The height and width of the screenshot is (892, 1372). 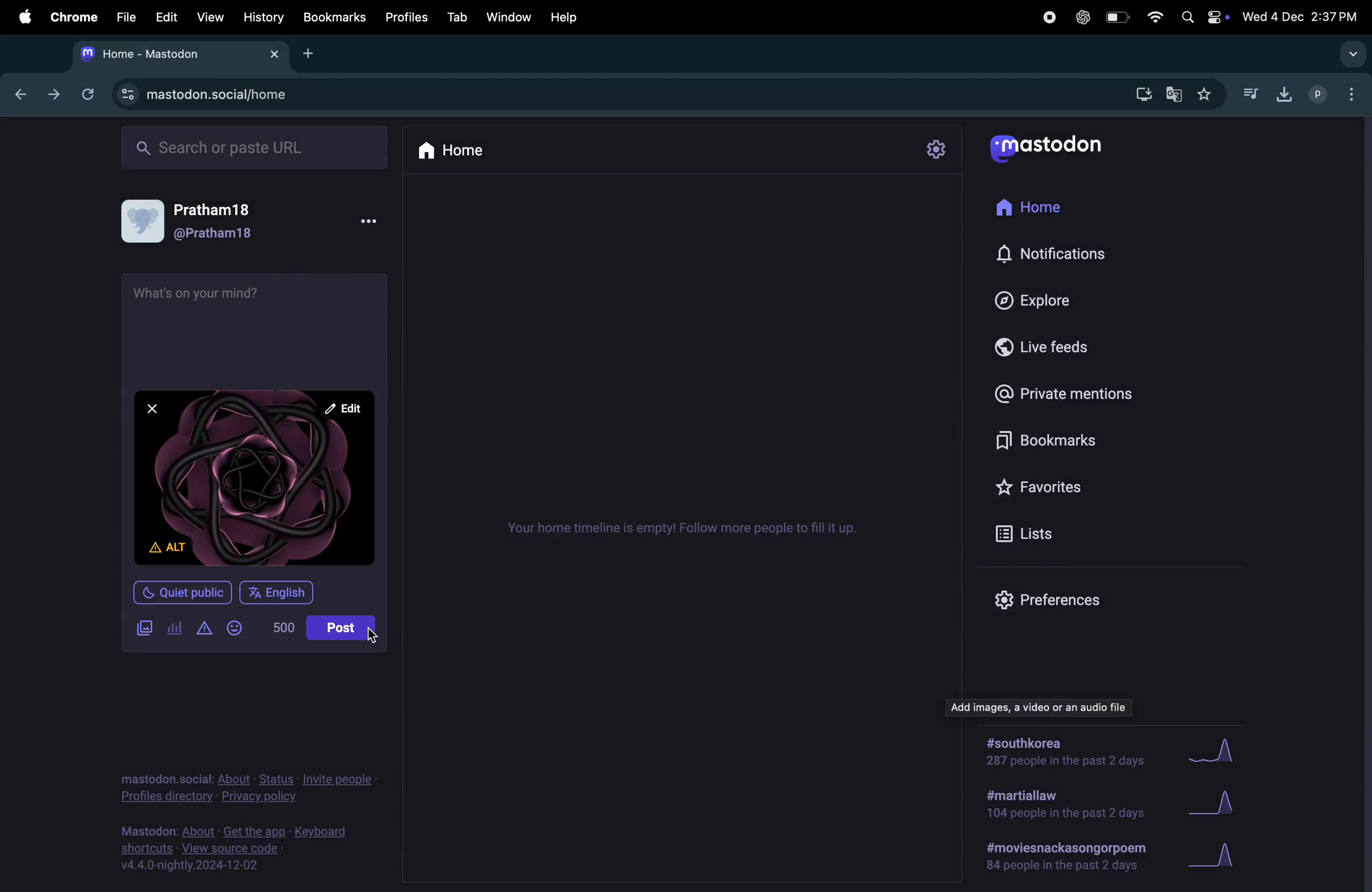 I want to click on Quiet public, so click(x=182, y=592).